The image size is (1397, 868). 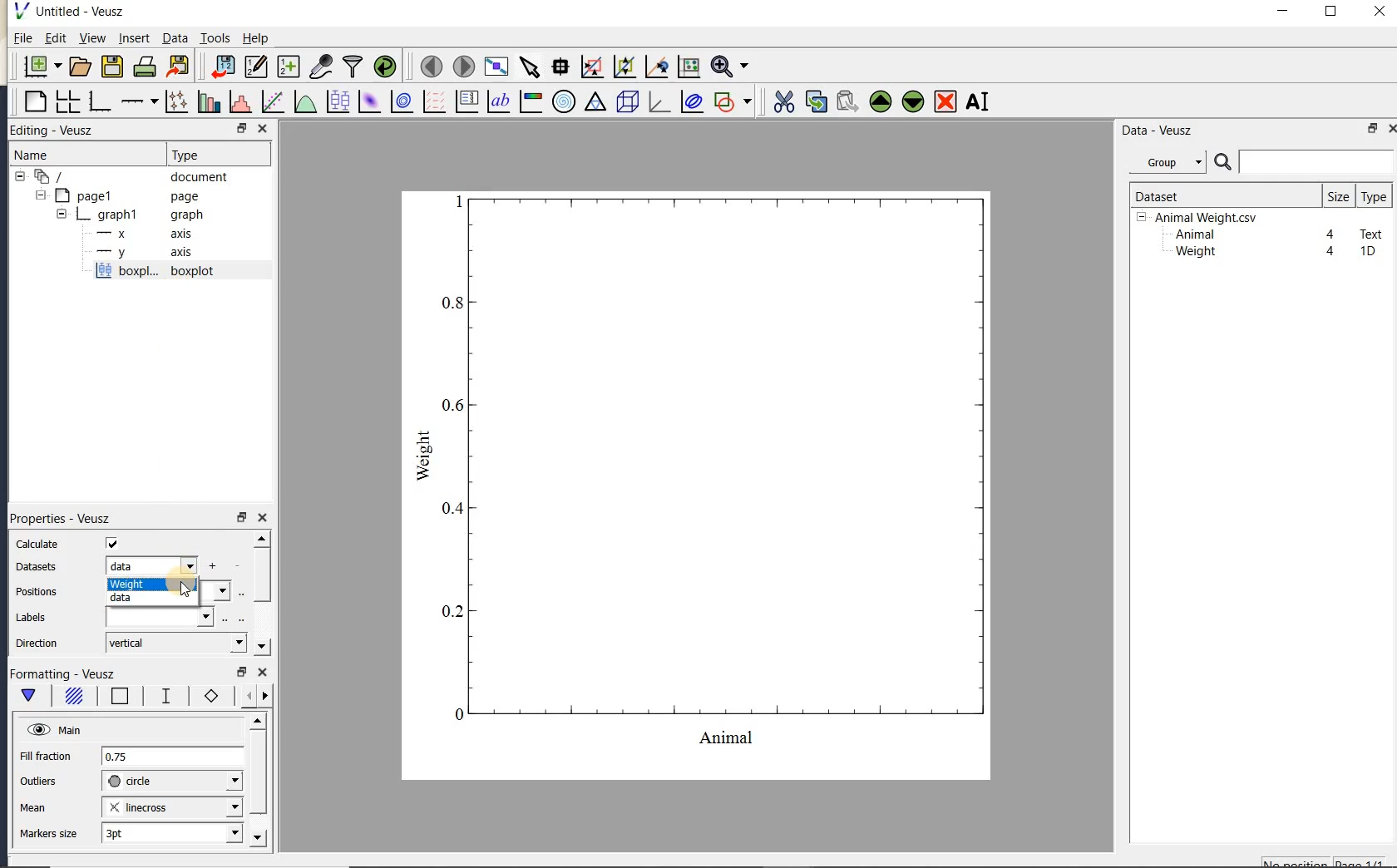 What do you see at coordinates (1172, 163) in the screenshot?
I see `Data - Veusz` at bounding box center [1172, 163].